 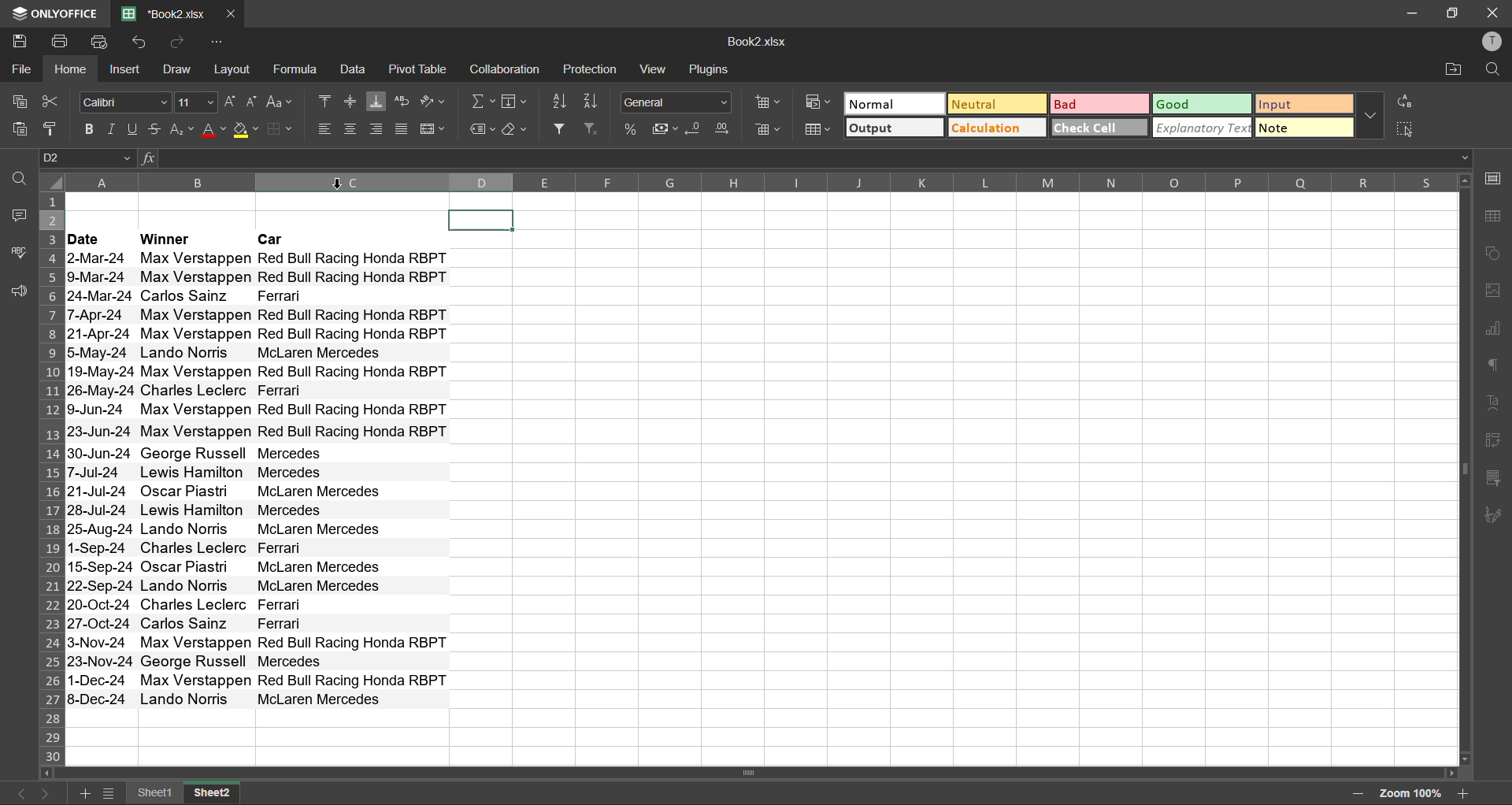 What do you see at coordinates (351, 129) in the screenshot?
I see `align center` at bounding box center [351, 129].